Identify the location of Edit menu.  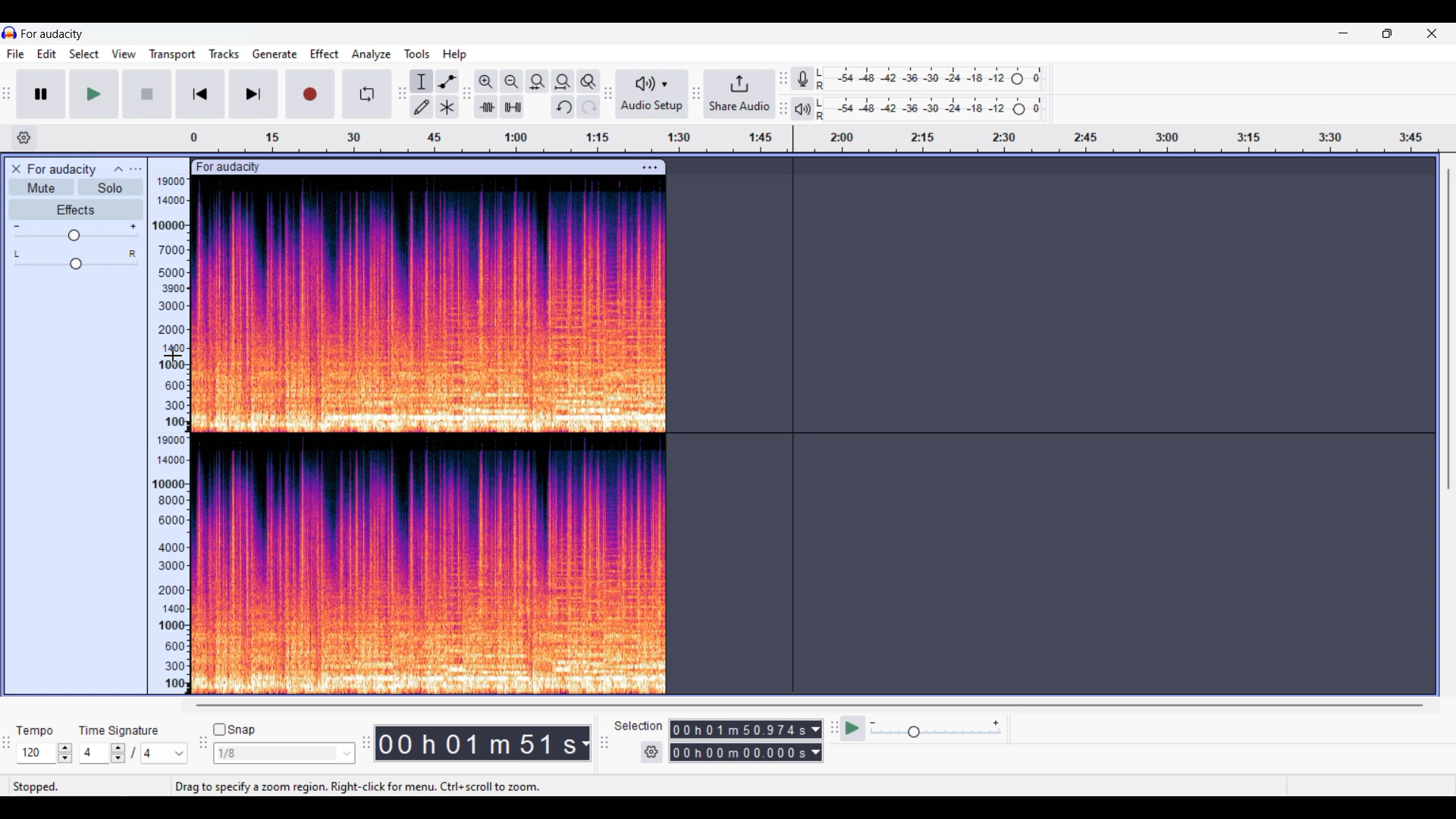
(47, 54).